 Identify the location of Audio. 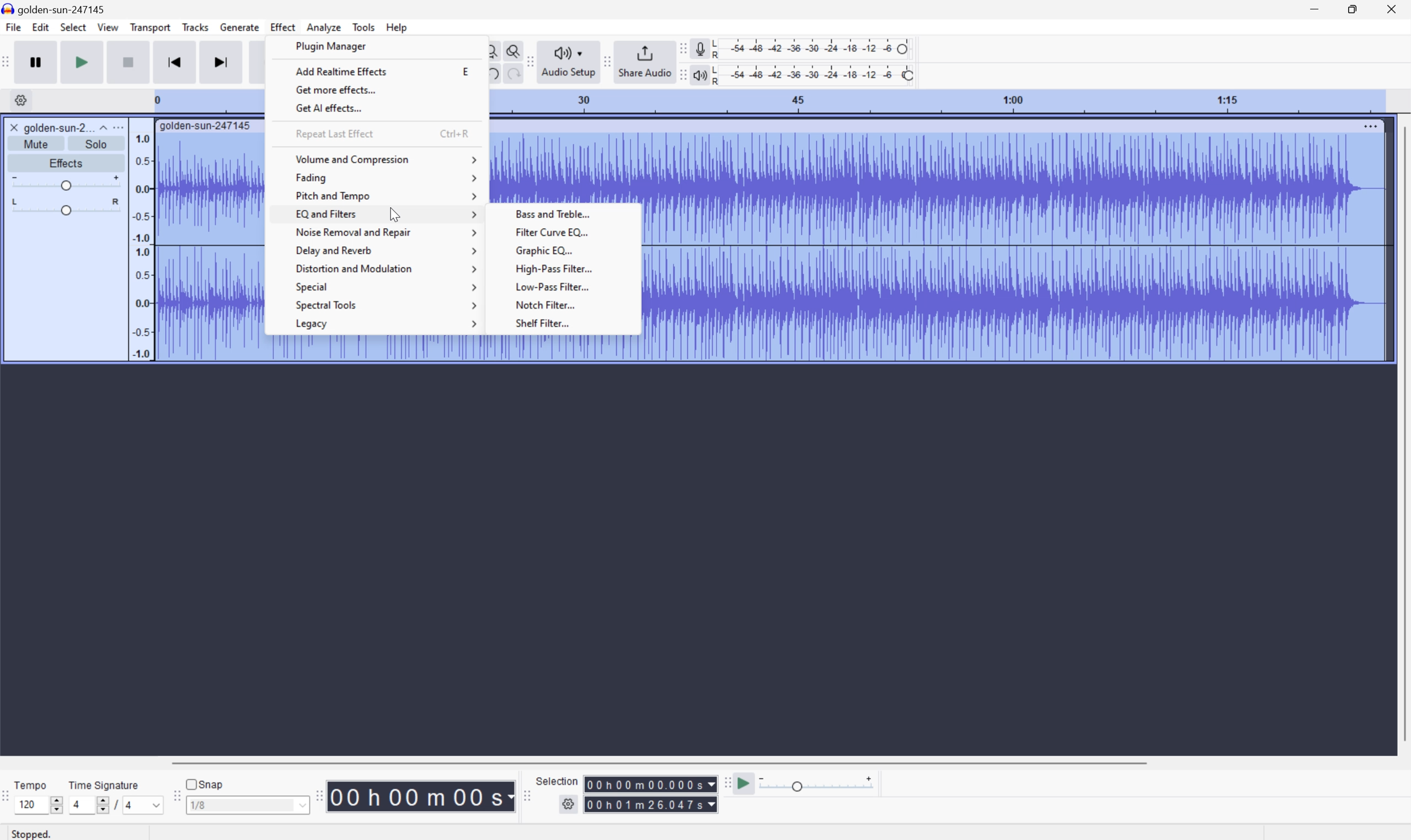
(1013, 246).